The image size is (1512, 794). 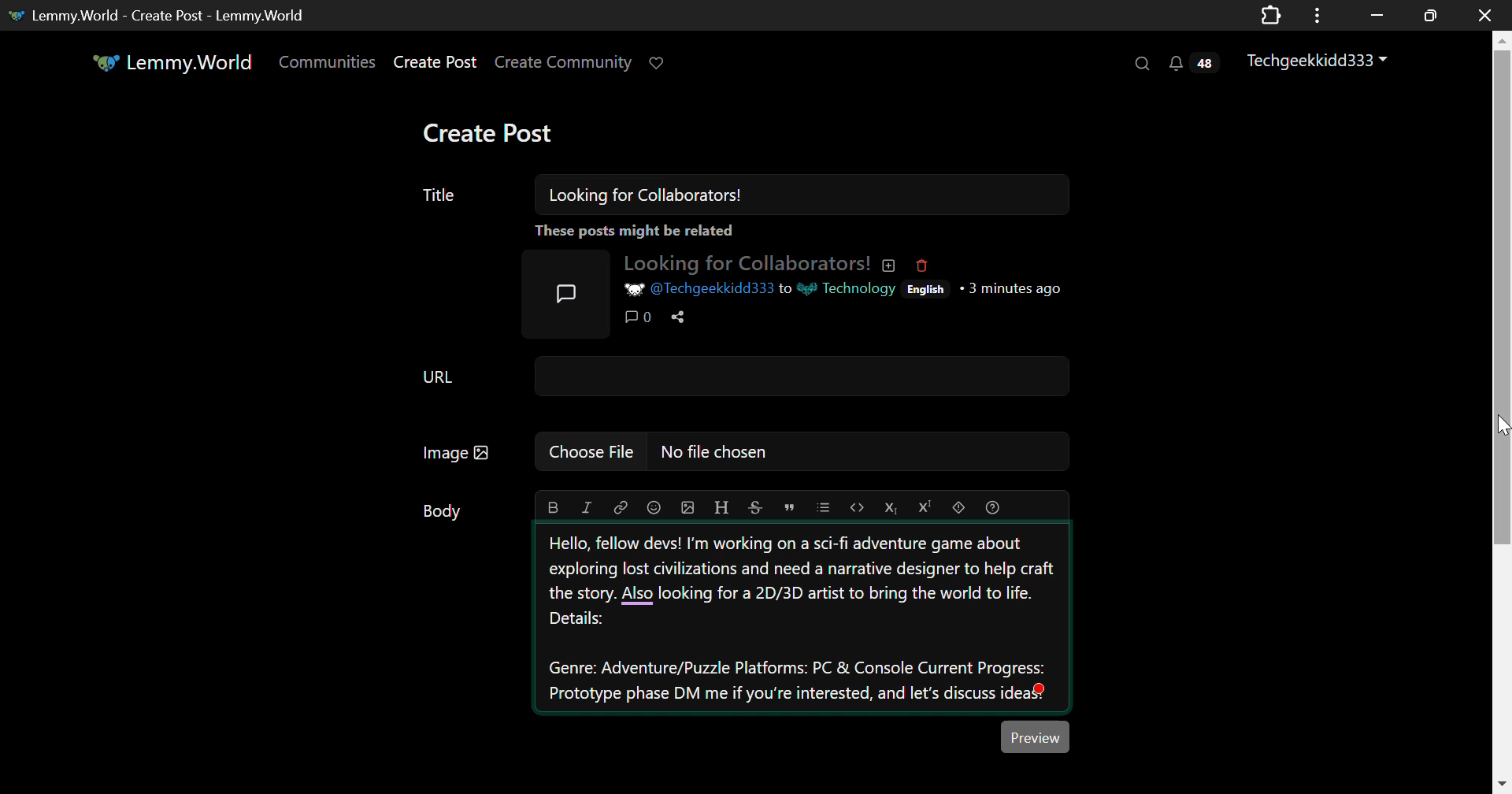 What do you see at coordinates (1191, 65) in the screenshot?
I see `Notifications ` at bounding box center [1191, 65].